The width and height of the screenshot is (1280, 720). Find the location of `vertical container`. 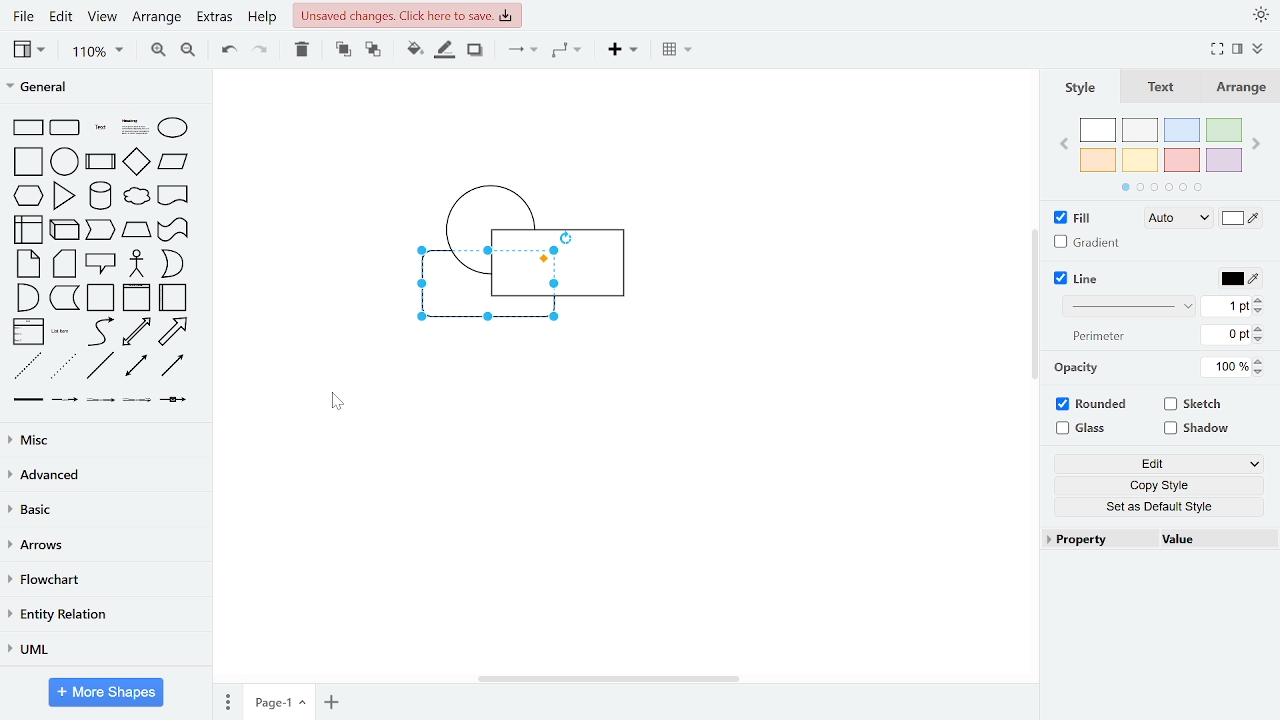

vertical container is located at coordinates (138, 297).